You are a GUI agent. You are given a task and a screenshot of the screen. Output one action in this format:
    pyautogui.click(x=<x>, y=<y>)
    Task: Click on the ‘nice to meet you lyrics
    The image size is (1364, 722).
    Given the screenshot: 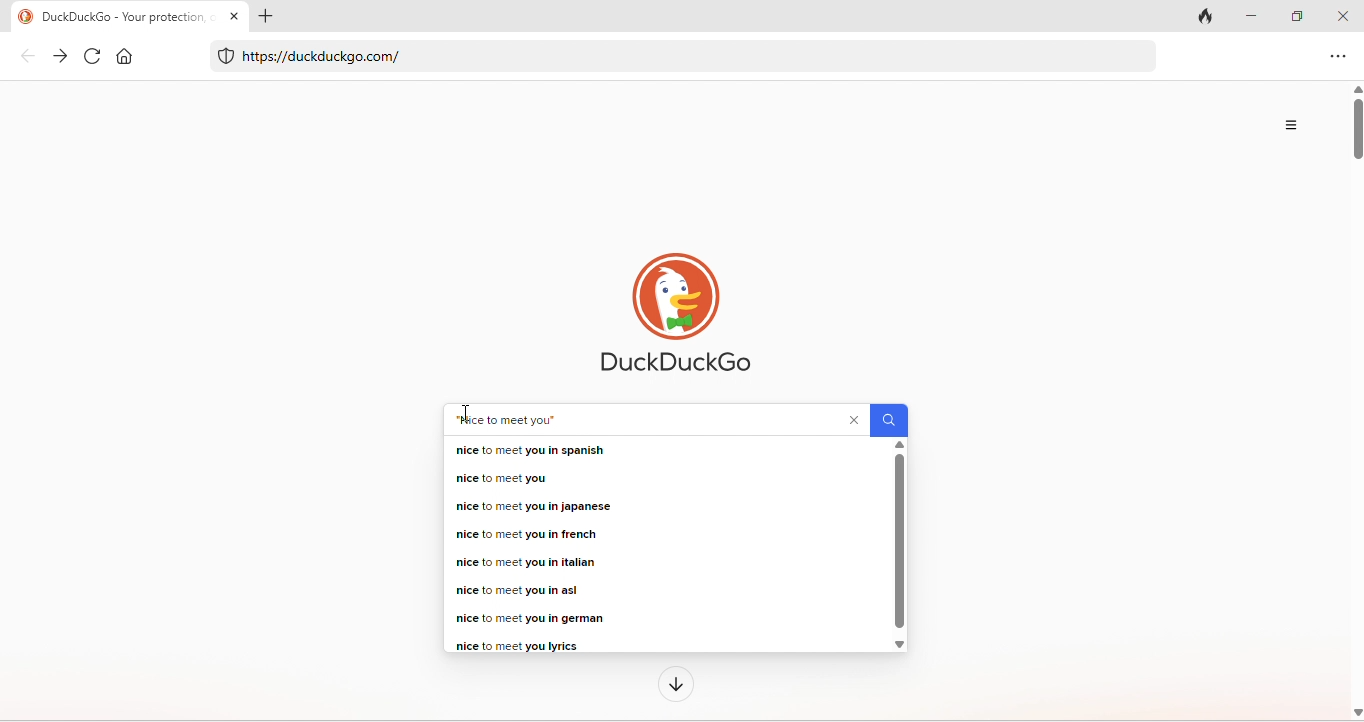 What is the action you would take?
    pyautogui.click(x=515, y=645)
    